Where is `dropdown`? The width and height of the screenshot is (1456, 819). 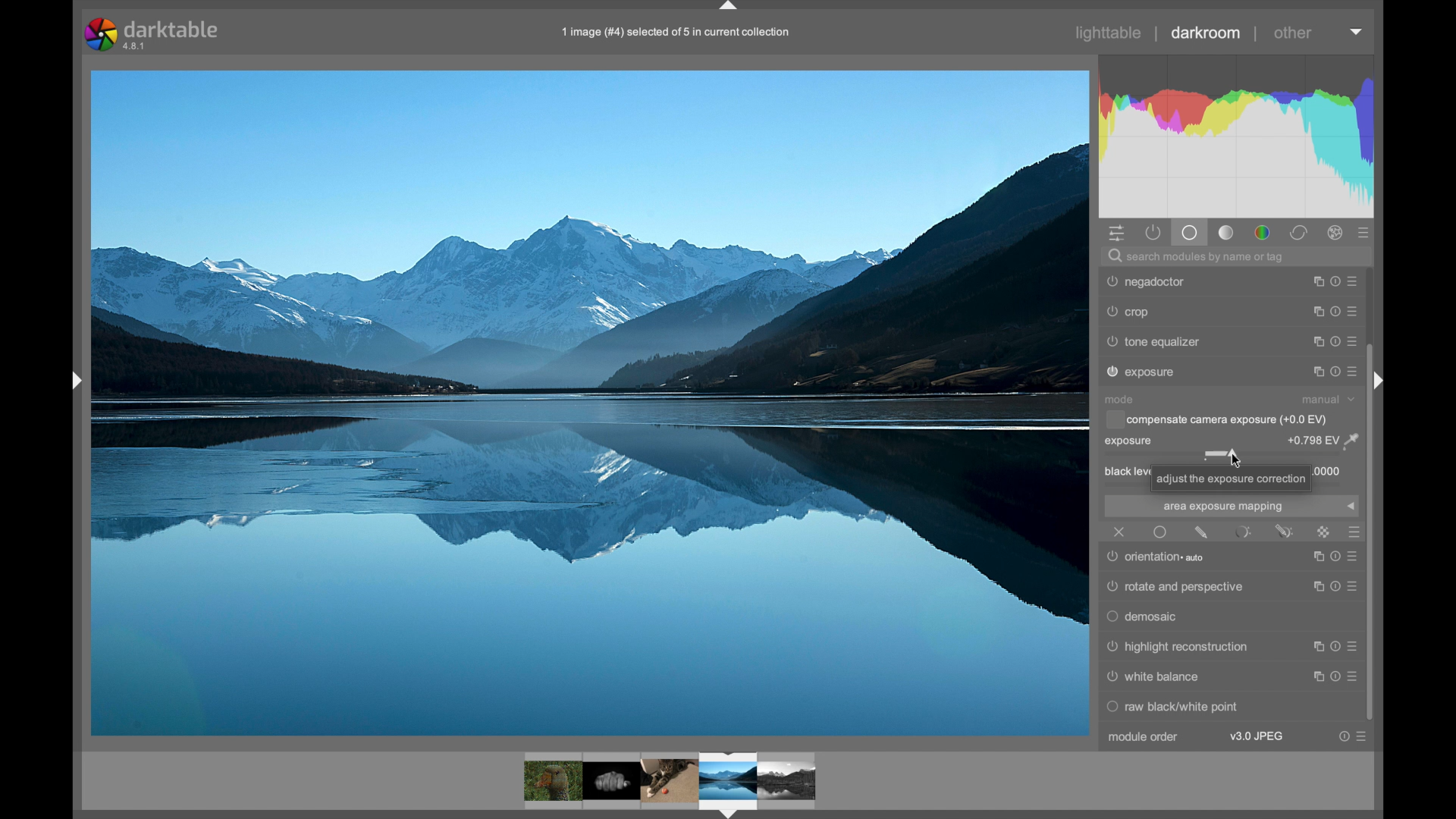
dropdown is located at coordinates (1351, 507).